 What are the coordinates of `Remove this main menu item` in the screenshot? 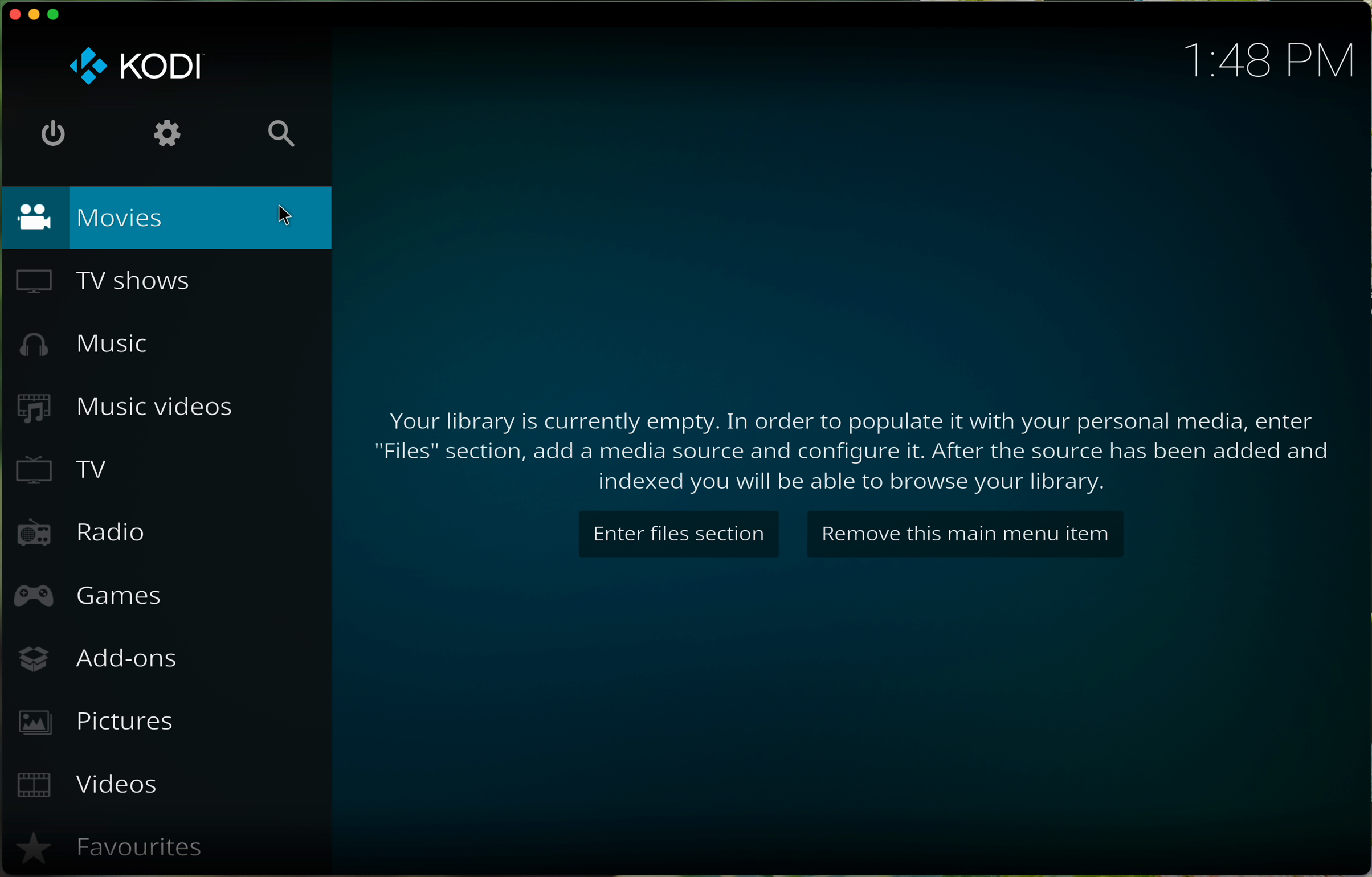 It's located at (965, 536).